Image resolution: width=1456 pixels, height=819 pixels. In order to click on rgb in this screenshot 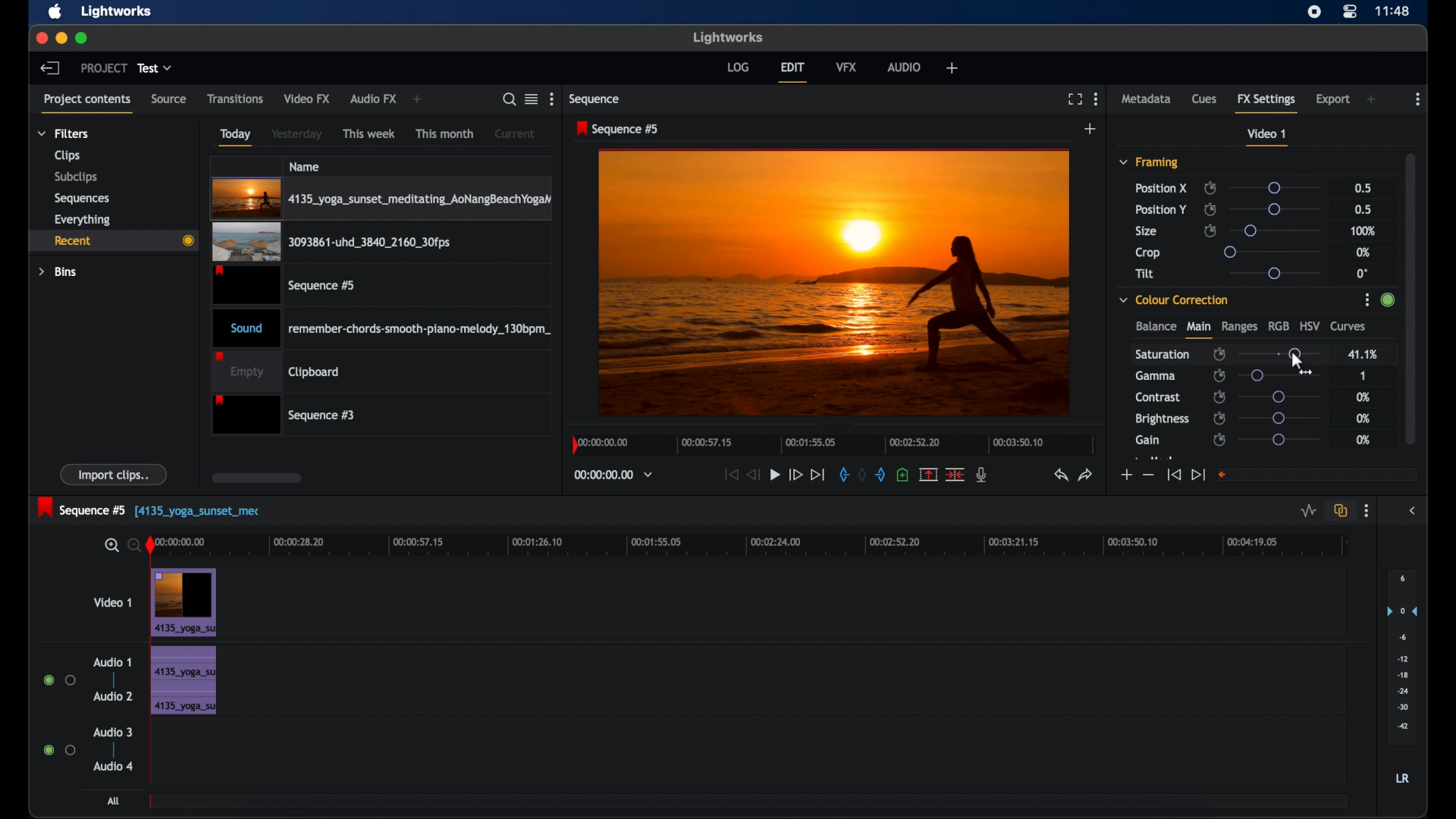, I will do `click(1279, 325)`.